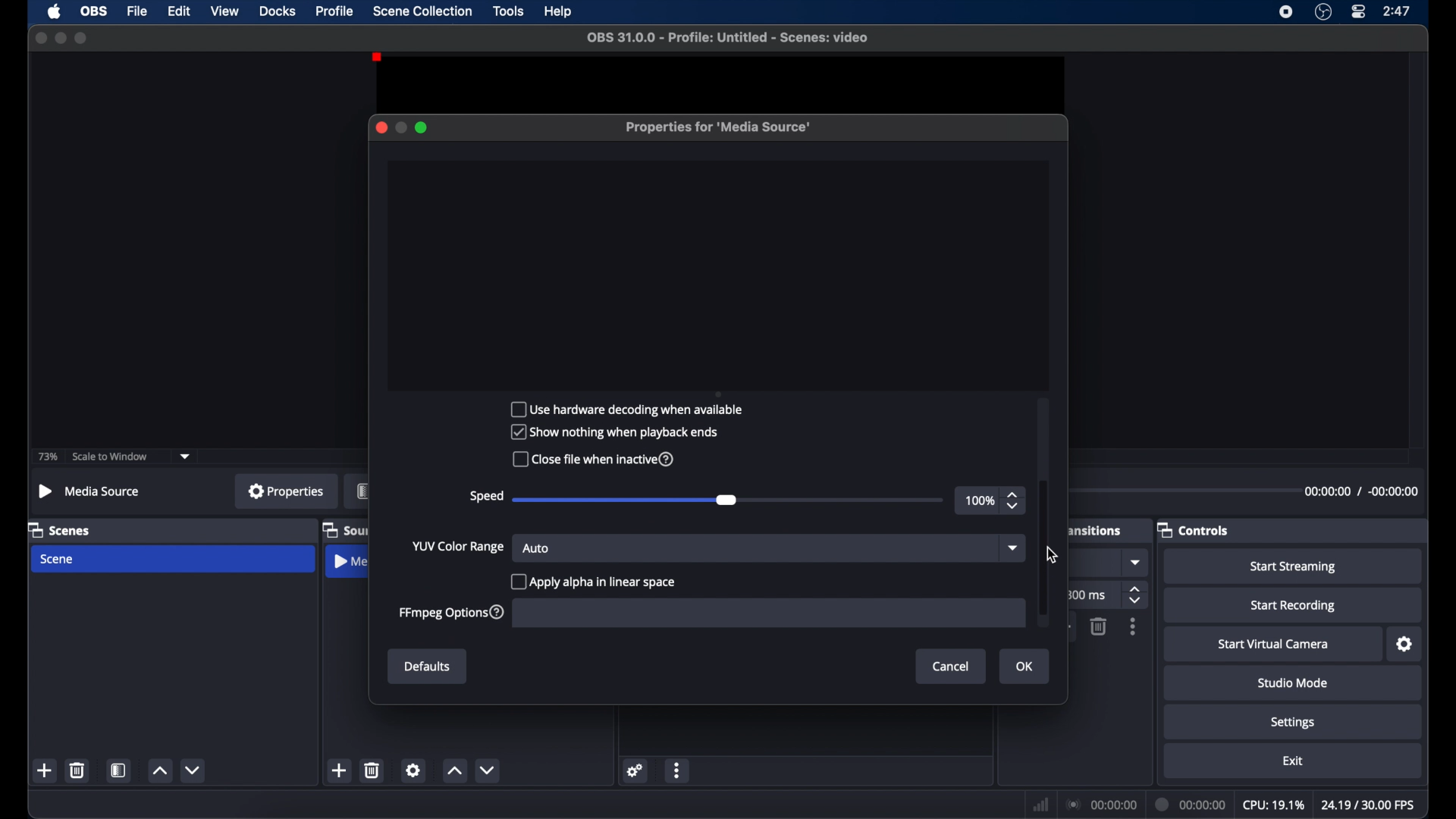 The image size is (1456, 819). I want to click on Show nothing when playback ends, so click(618, 434).